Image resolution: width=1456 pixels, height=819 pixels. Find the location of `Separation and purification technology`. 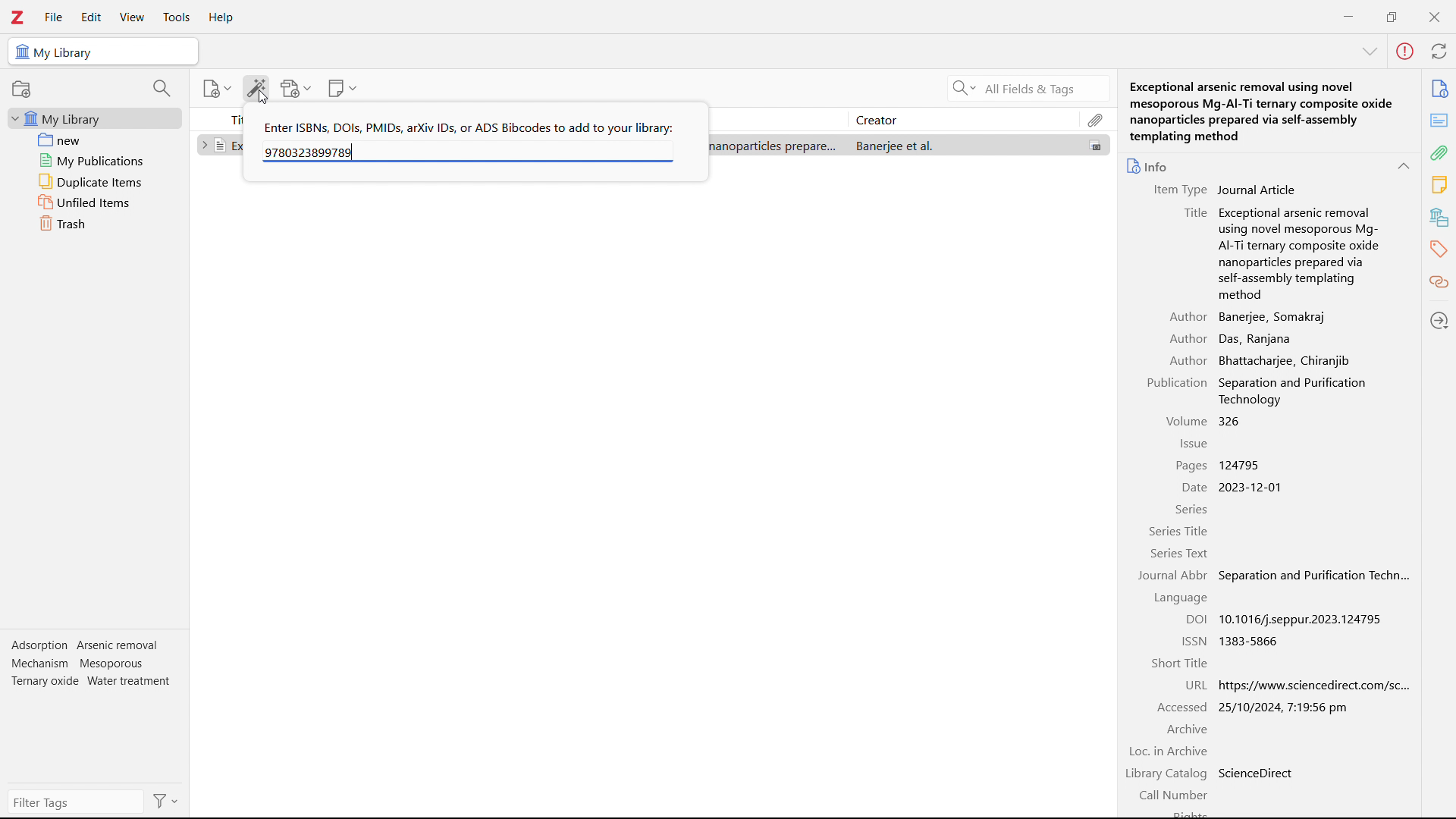

Separation and purification technology is located at coordinates (1307, 391).